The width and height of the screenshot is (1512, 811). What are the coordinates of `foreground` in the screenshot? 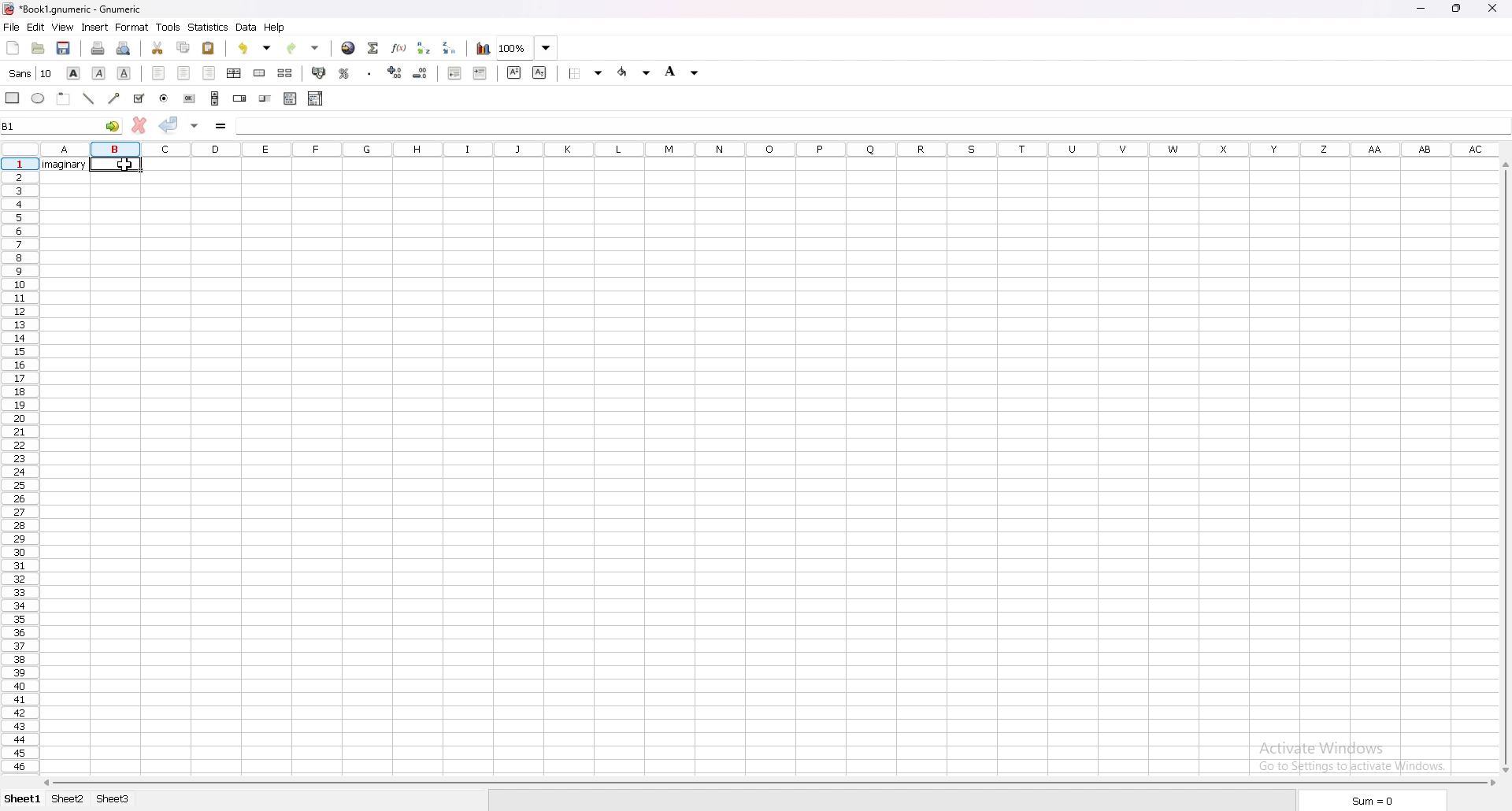 It's located at (633, 72).